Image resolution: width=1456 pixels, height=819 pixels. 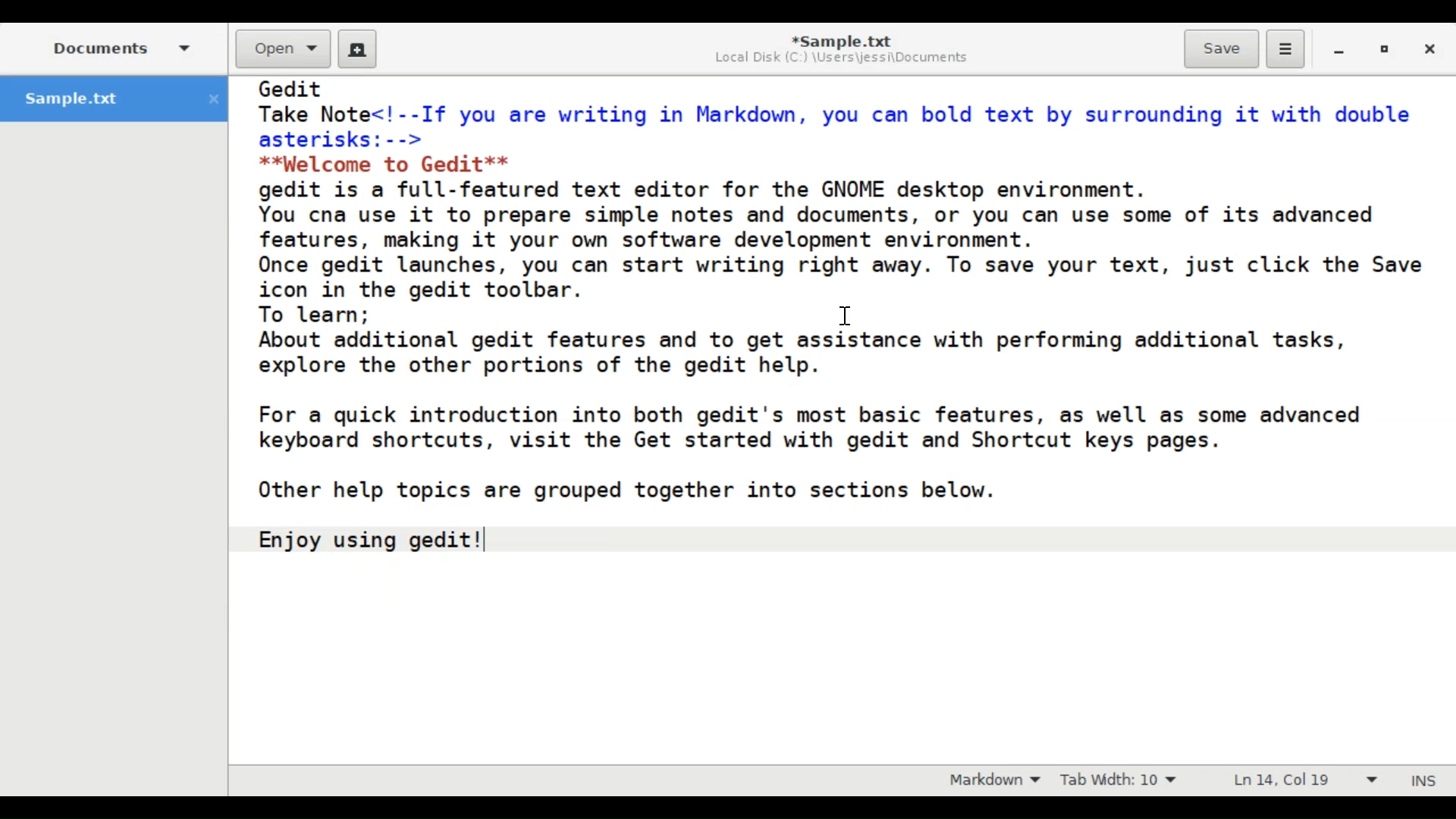 What do you see at coordinates (843, 42) in the screenshot?
I see `Sample.txt` at bounding box center [843, 42].